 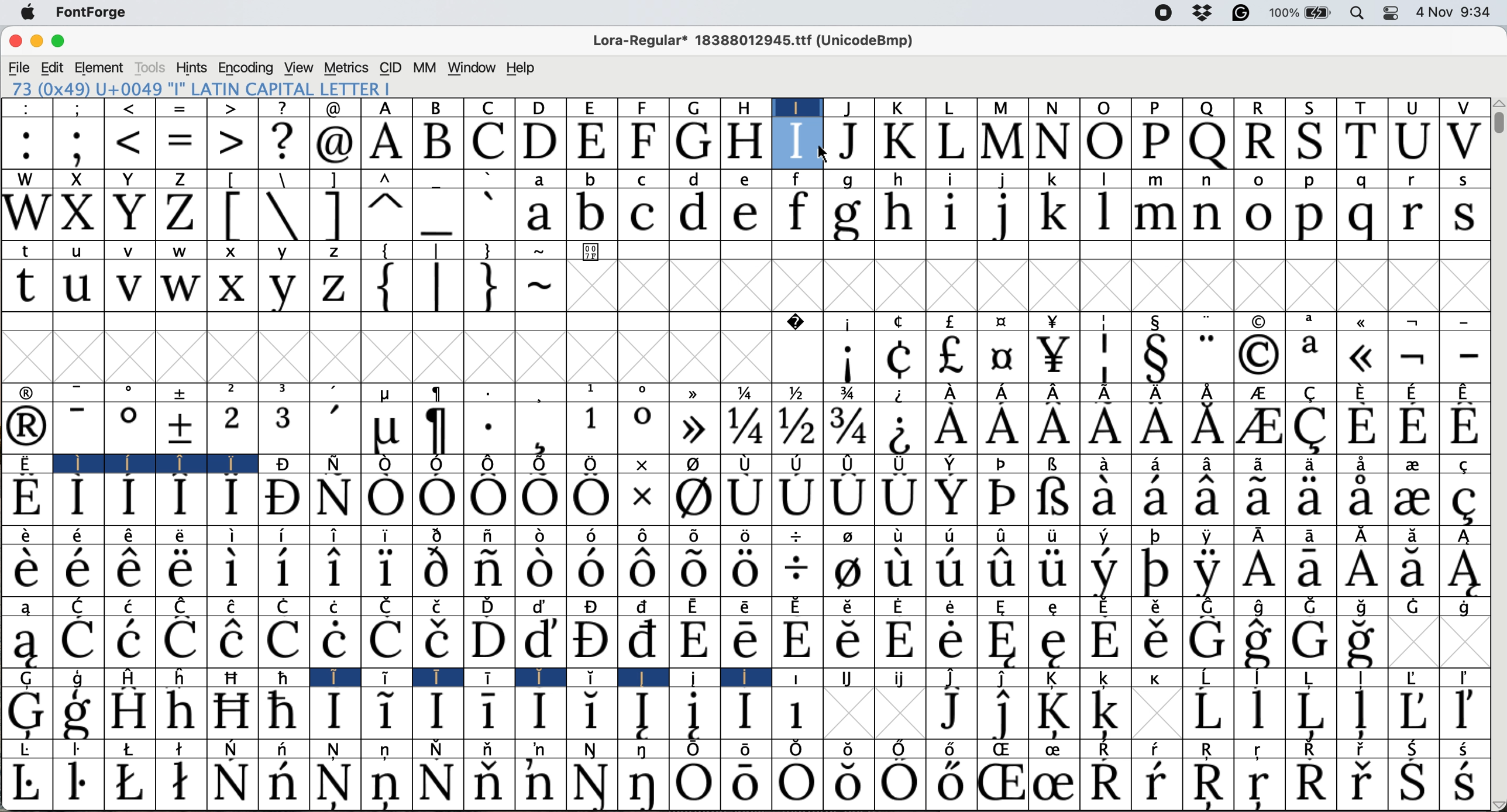 What do you see at coordinates (901, 605) in the screenshot?
I see `Symbol` at bounding box center [901, 605].